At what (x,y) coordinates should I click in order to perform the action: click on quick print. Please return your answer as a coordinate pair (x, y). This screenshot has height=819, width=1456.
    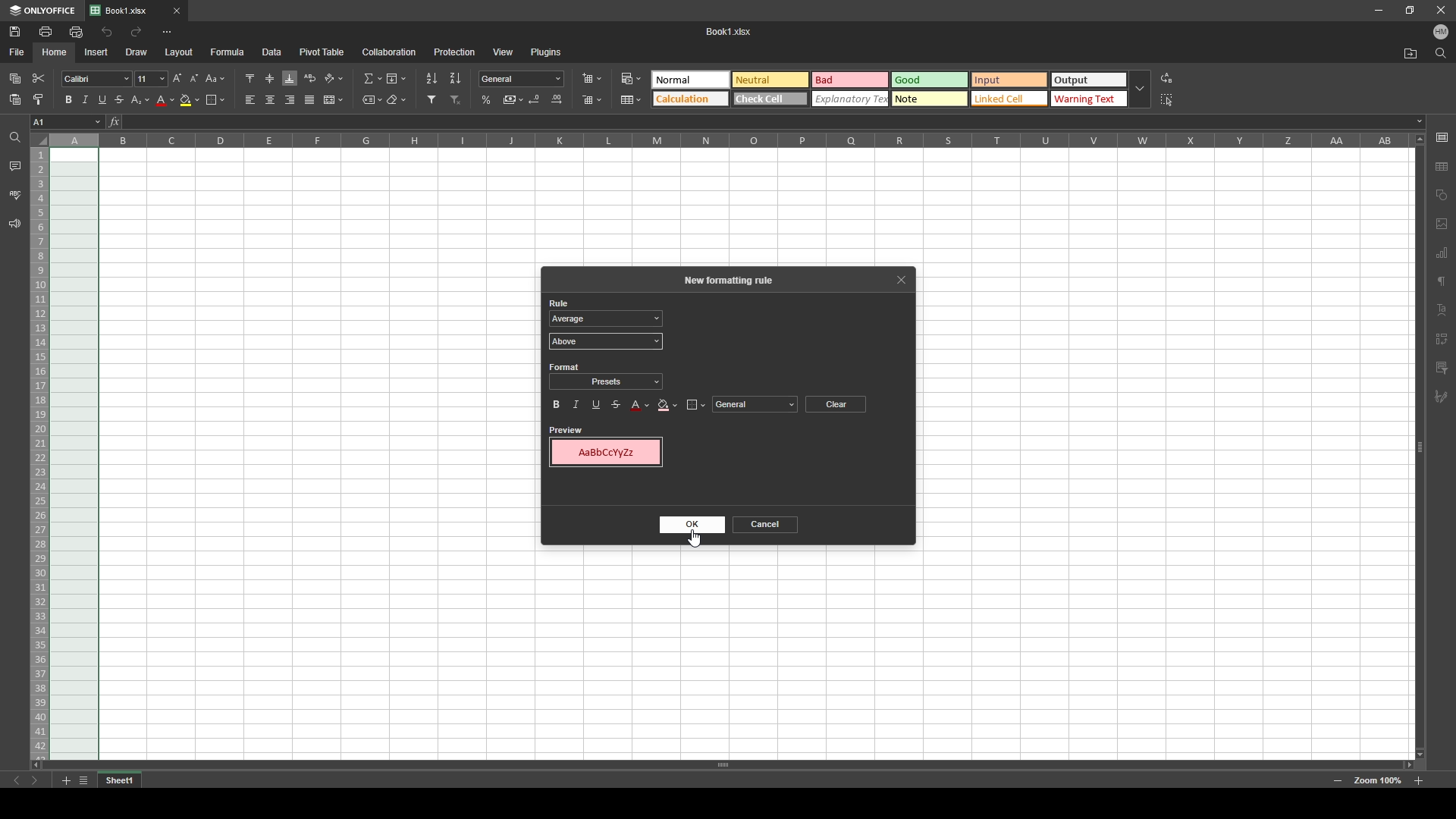
    Looking at the image, I should click on (75, 31).